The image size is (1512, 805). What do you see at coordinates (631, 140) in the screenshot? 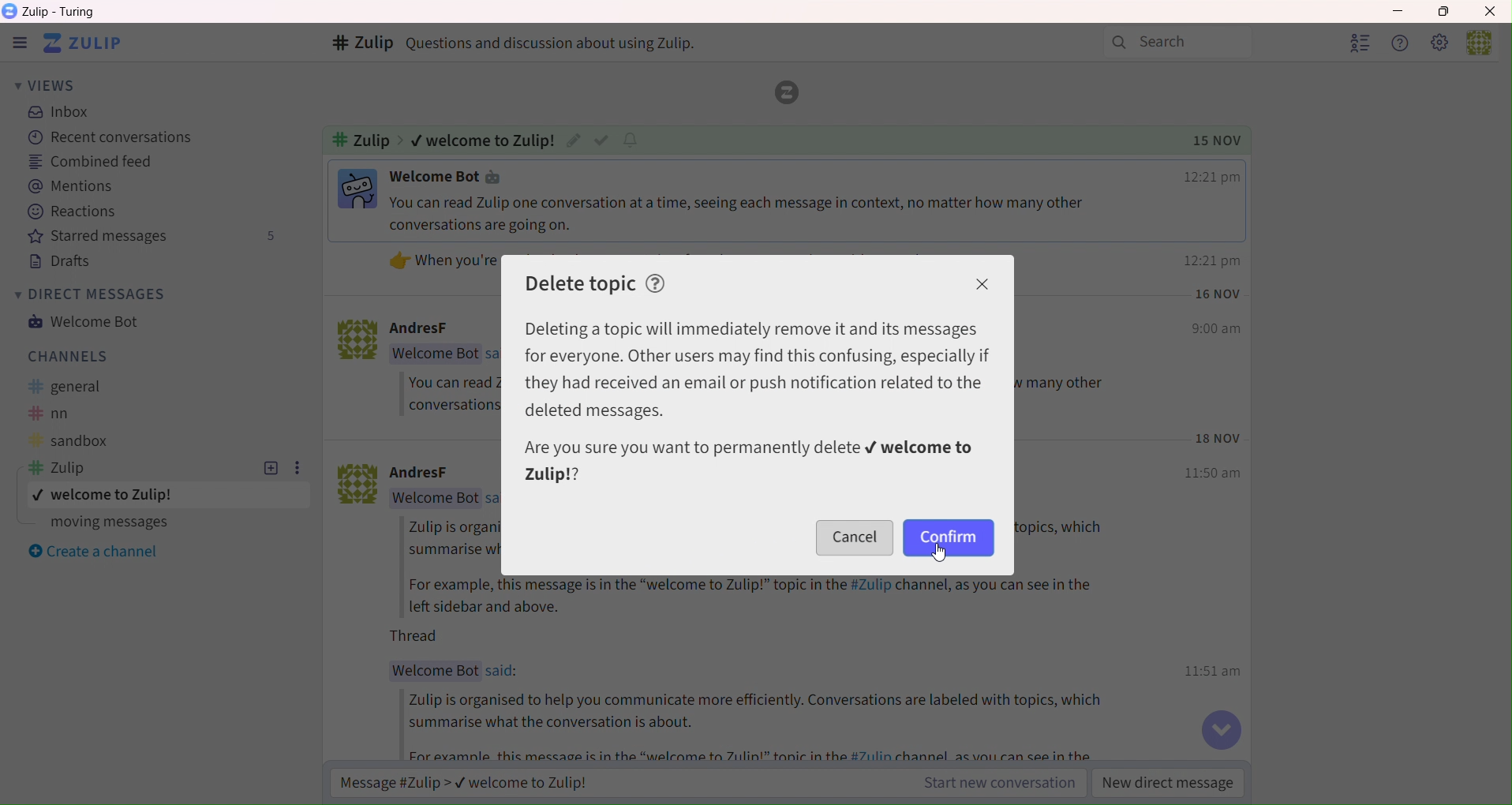
I see `Notifications` at bounding box center [631, 140].